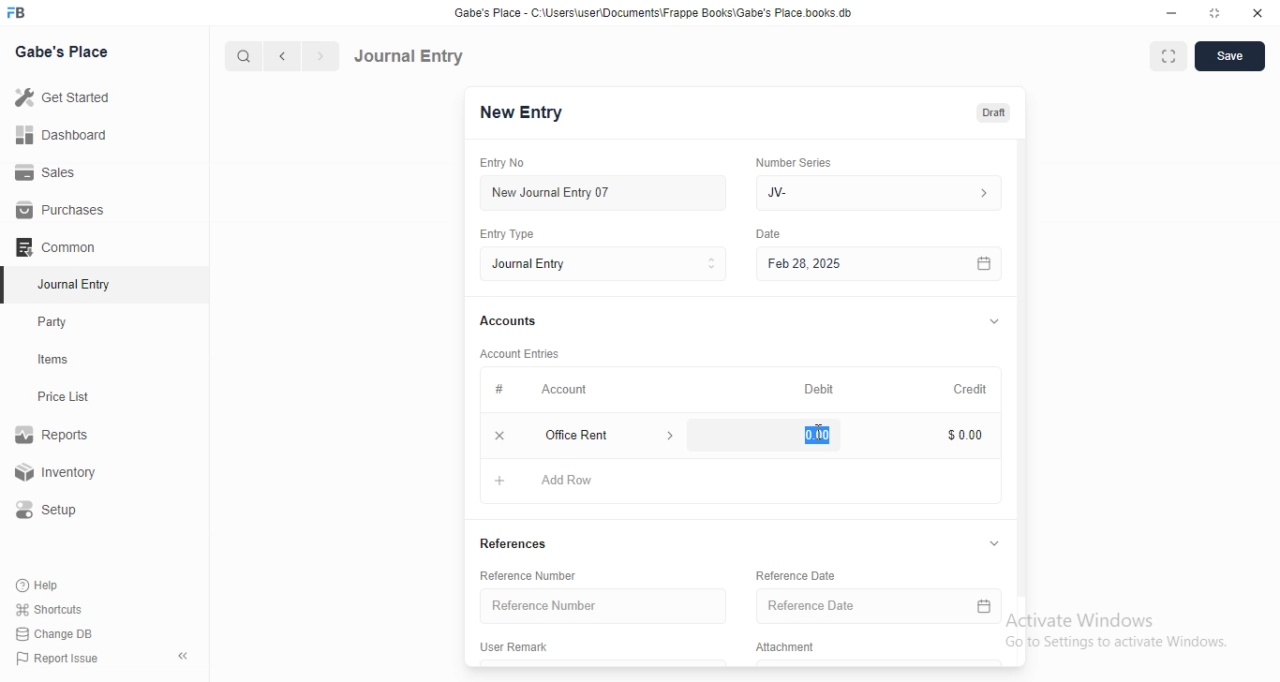  I want to click on + AddRow, so click(545, 484).